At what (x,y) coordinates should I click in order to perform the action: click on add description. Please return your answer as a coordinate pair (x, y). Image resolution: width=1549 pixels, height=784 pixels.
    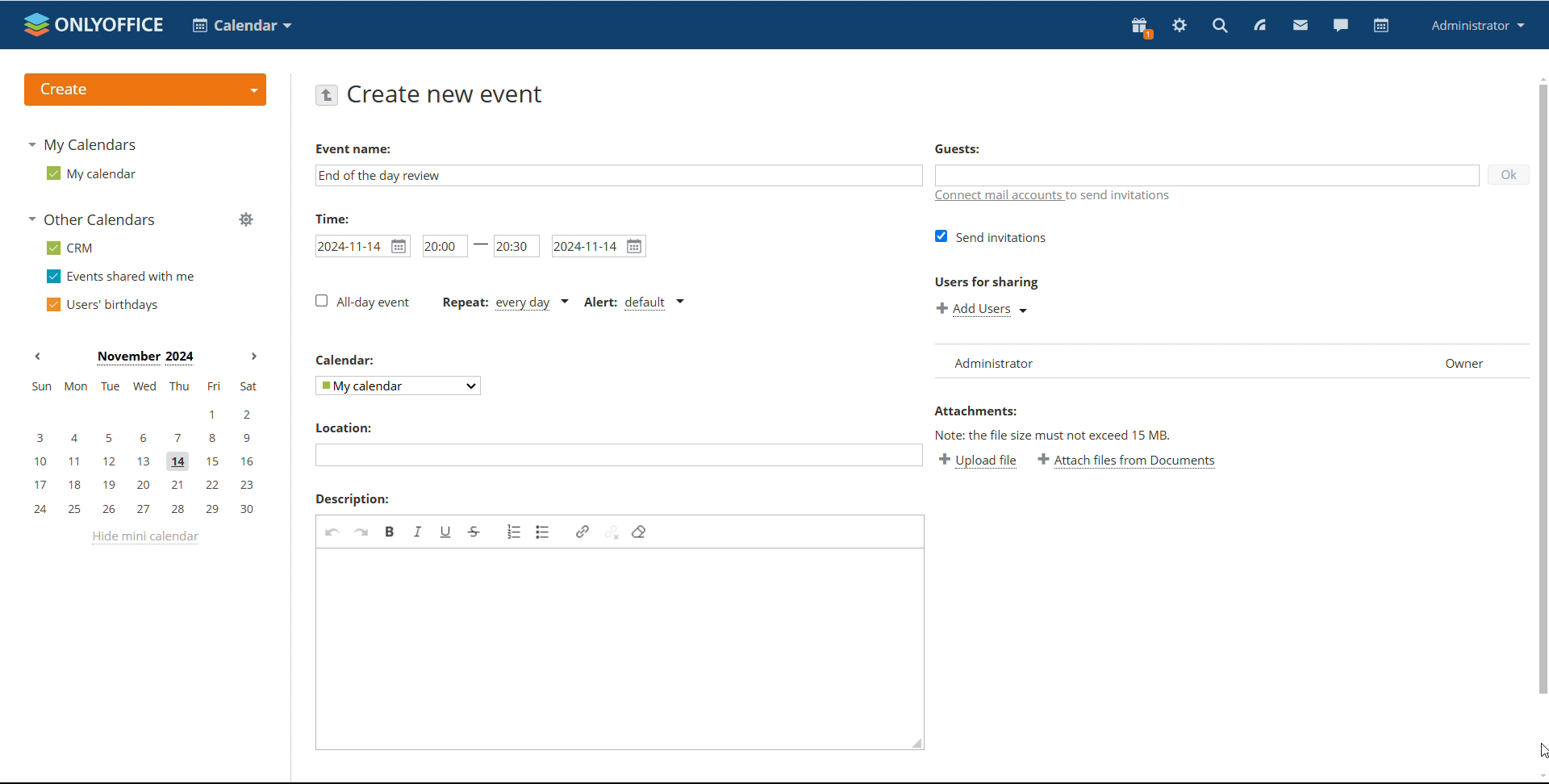
    Looking at the image, I should click on (610, 640).